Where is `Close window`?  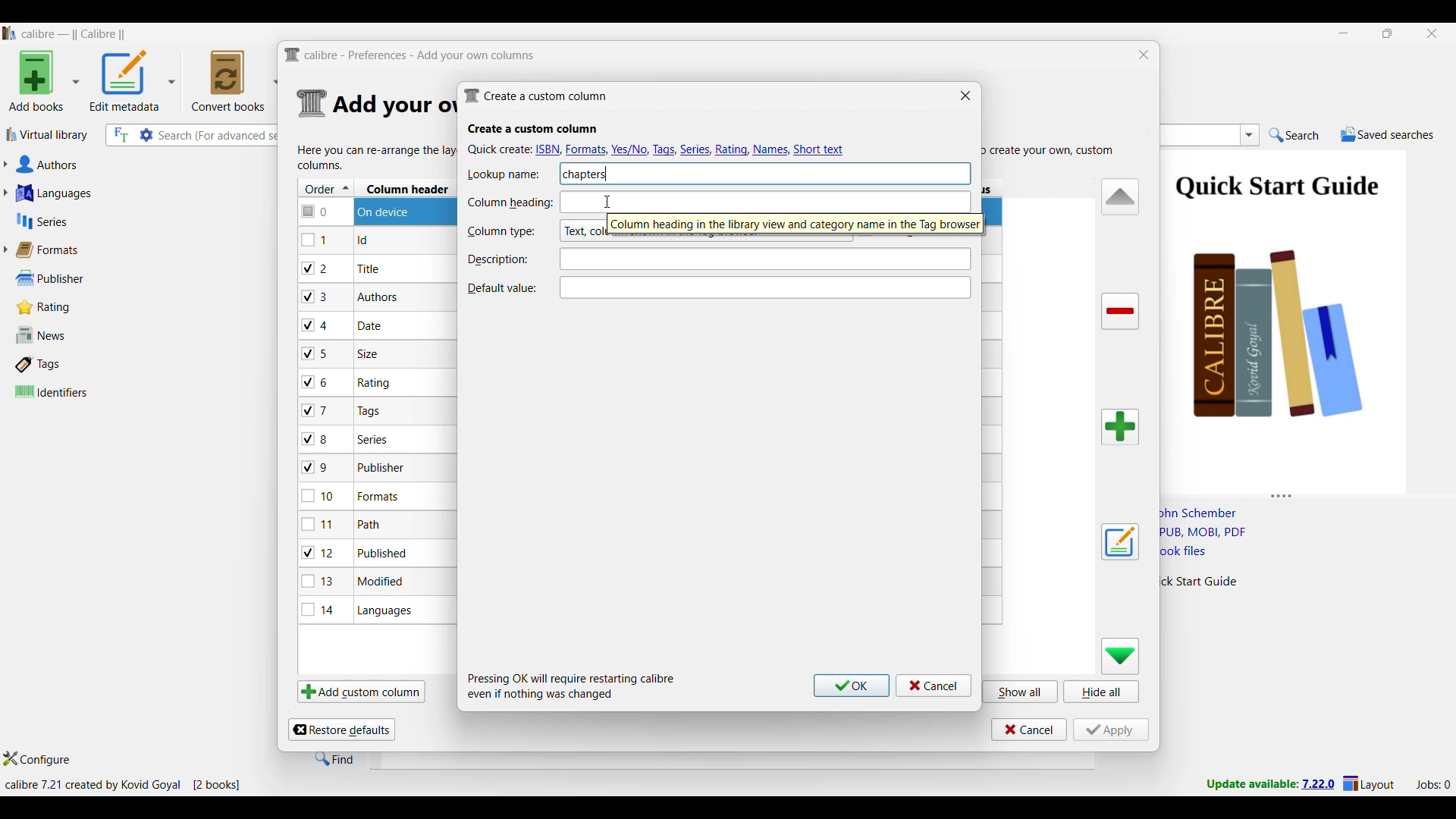 Close window is located at coordinates (1144, 55).